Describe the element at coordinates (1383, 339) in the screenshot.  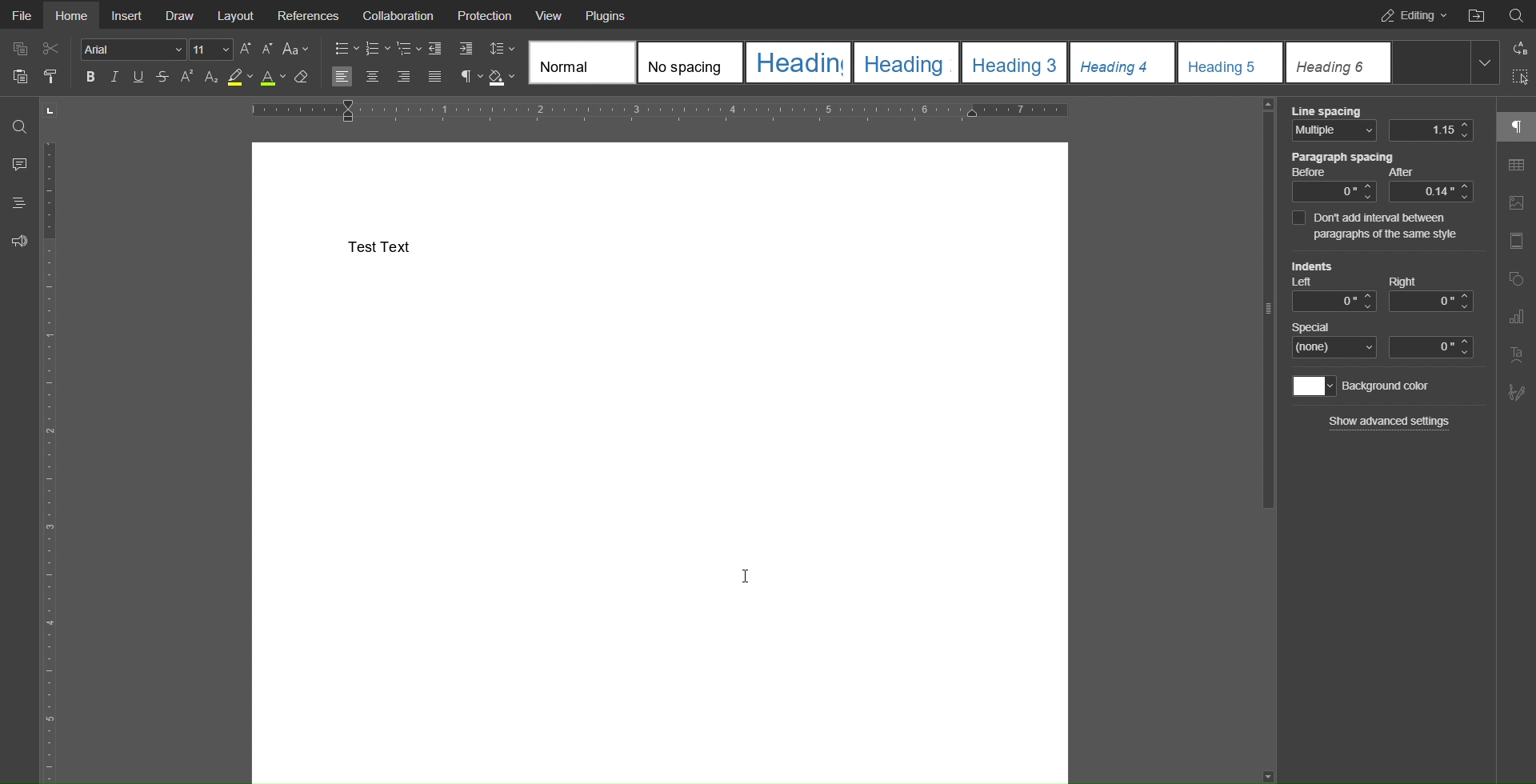
I see `Special` at that location.